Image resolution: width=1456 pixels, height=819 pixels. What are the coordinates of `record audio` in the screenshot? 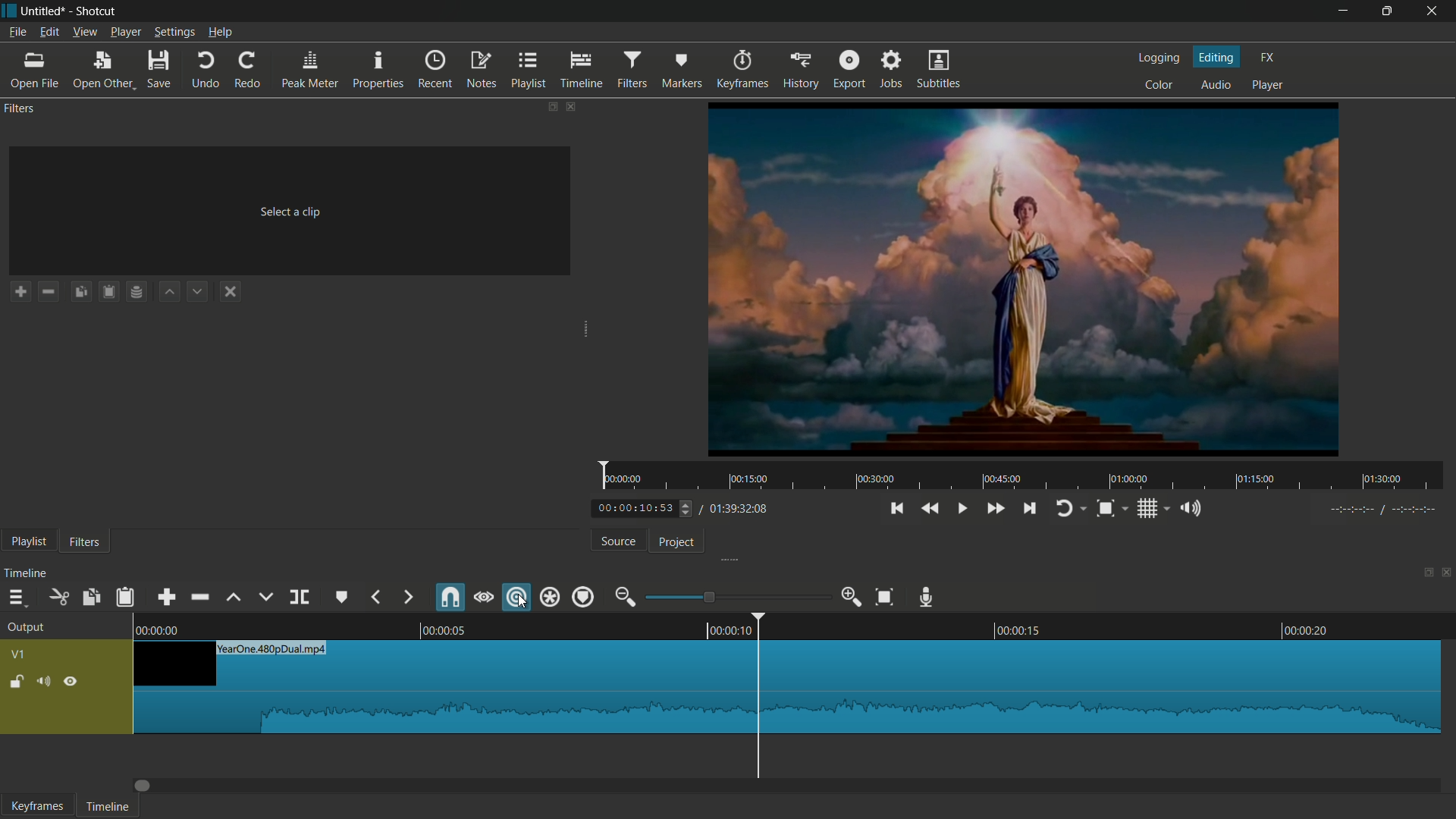 It's located at (927, 598).